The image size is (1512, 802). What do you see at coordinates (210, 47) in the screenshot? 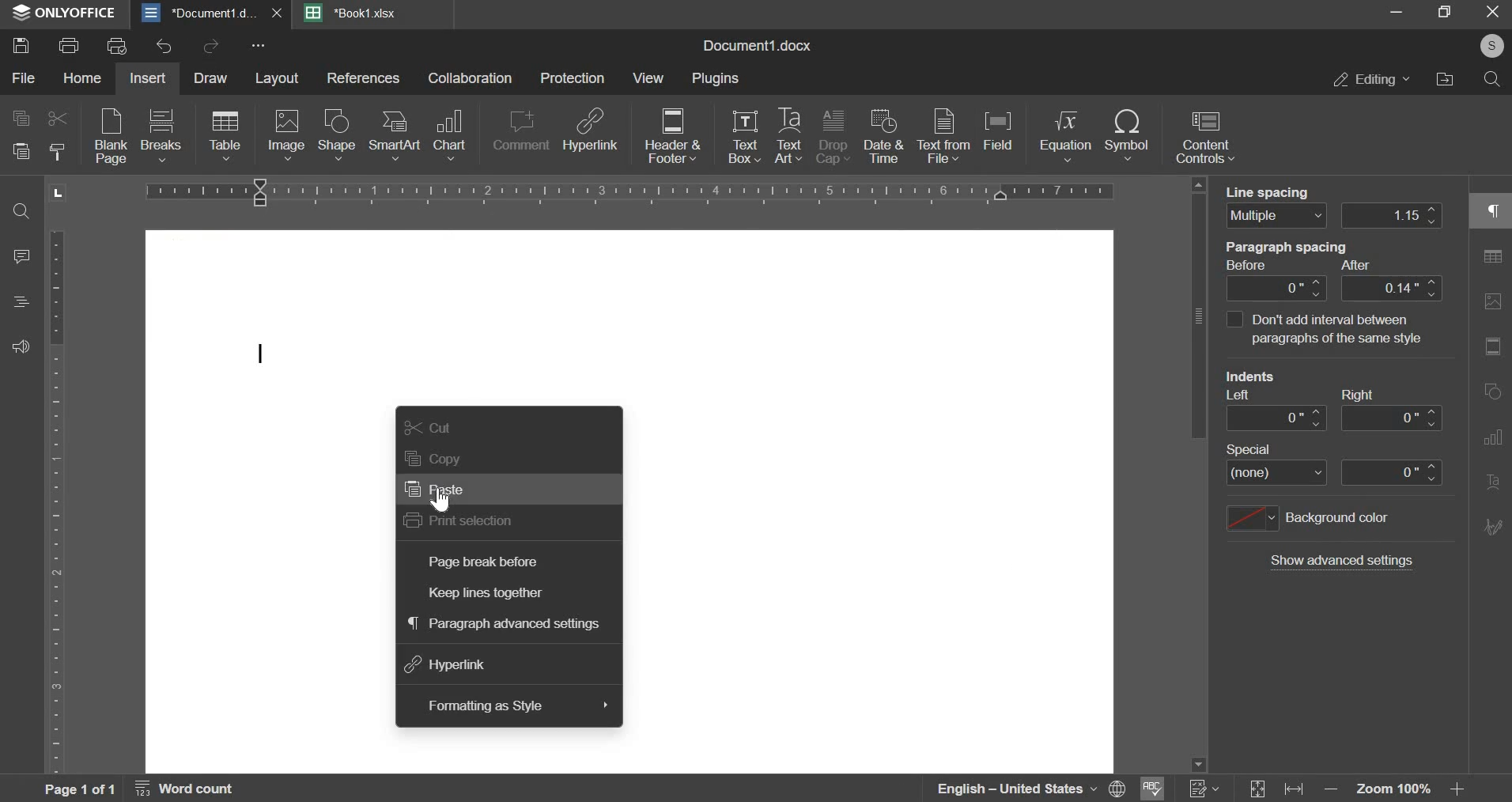
I see `redo` at bounding box center [210, 47].